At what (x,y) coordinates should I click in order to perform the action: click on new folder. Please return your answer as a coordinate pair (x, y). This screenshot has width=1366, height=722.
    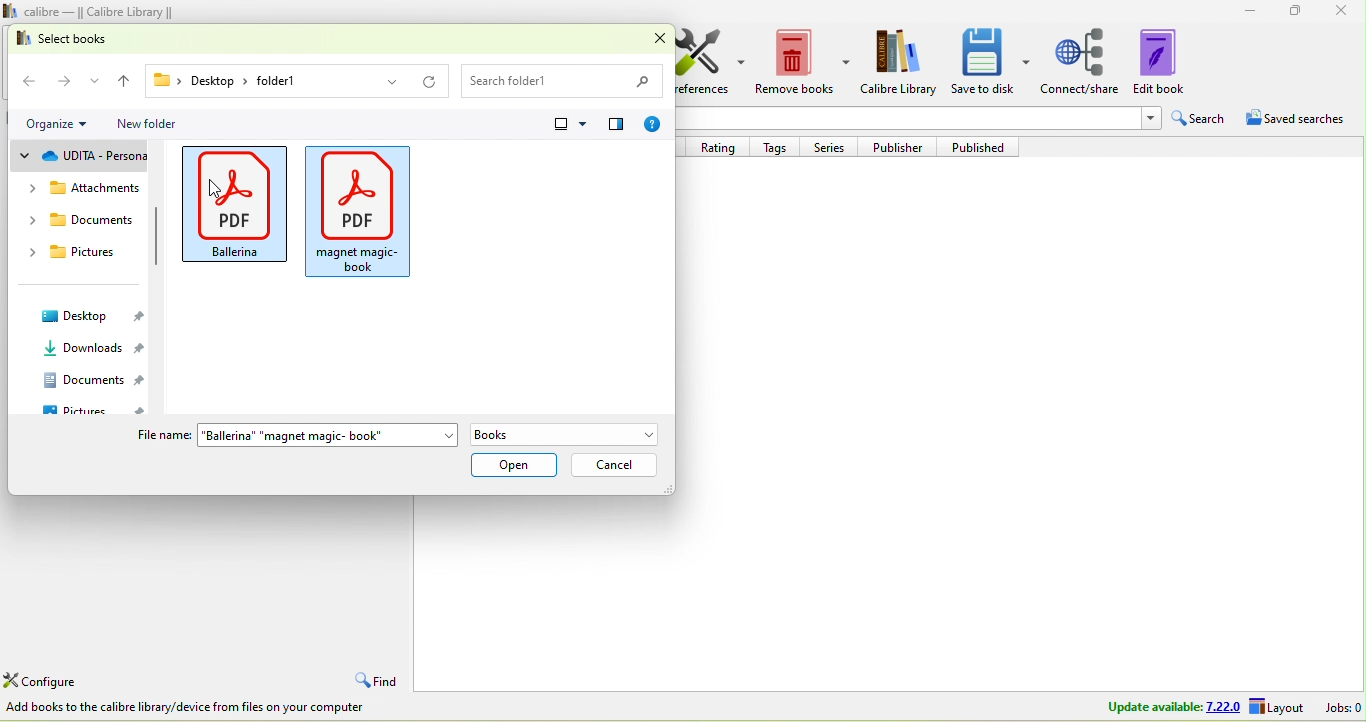
    Looking at the image, I should click on (150, 124).